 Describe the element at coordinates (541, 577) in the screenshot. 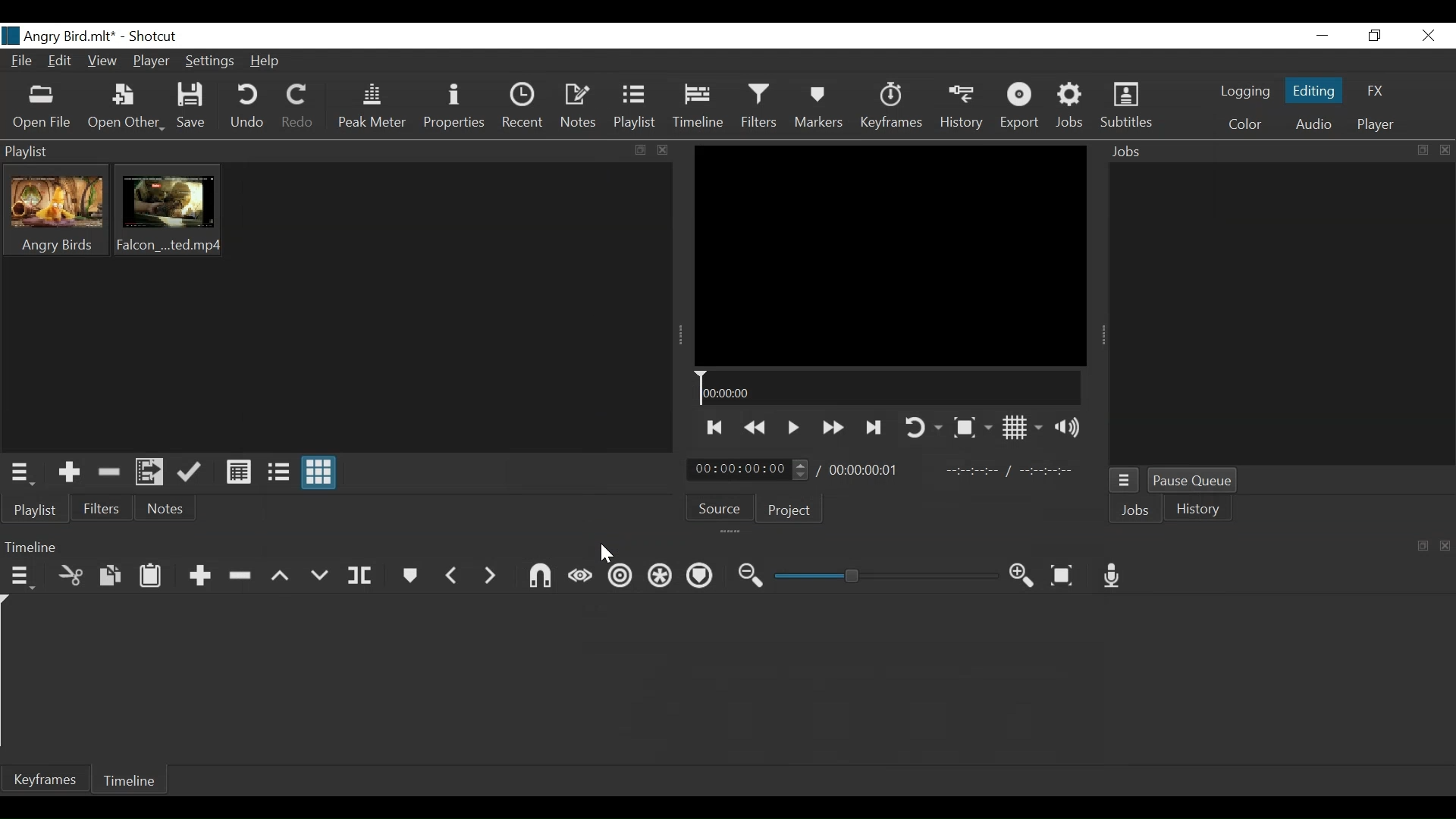

I see `Snap` at that location.